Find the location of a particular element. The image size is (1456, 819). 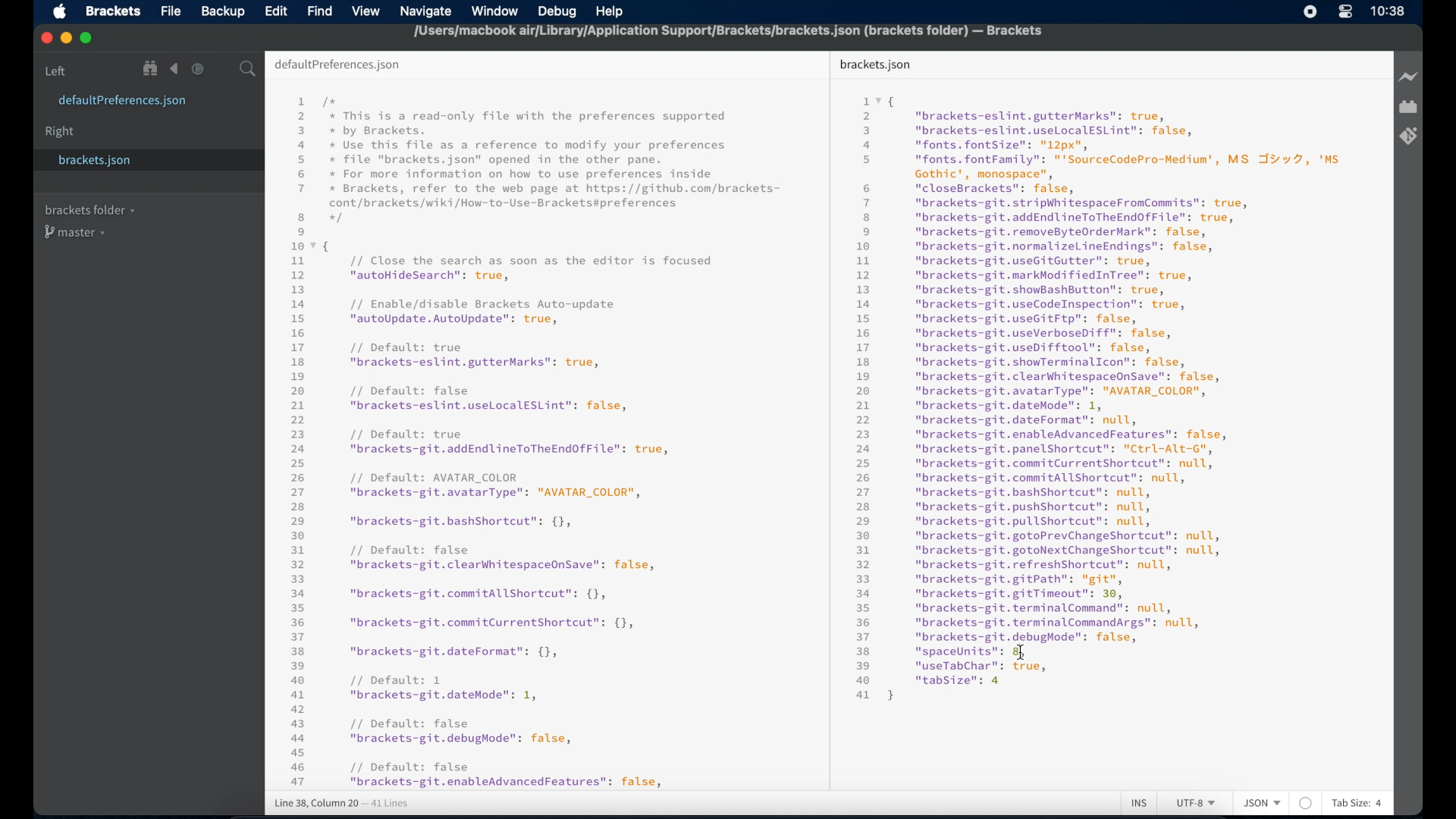

navigate forward is located at coordinates (198, 69).